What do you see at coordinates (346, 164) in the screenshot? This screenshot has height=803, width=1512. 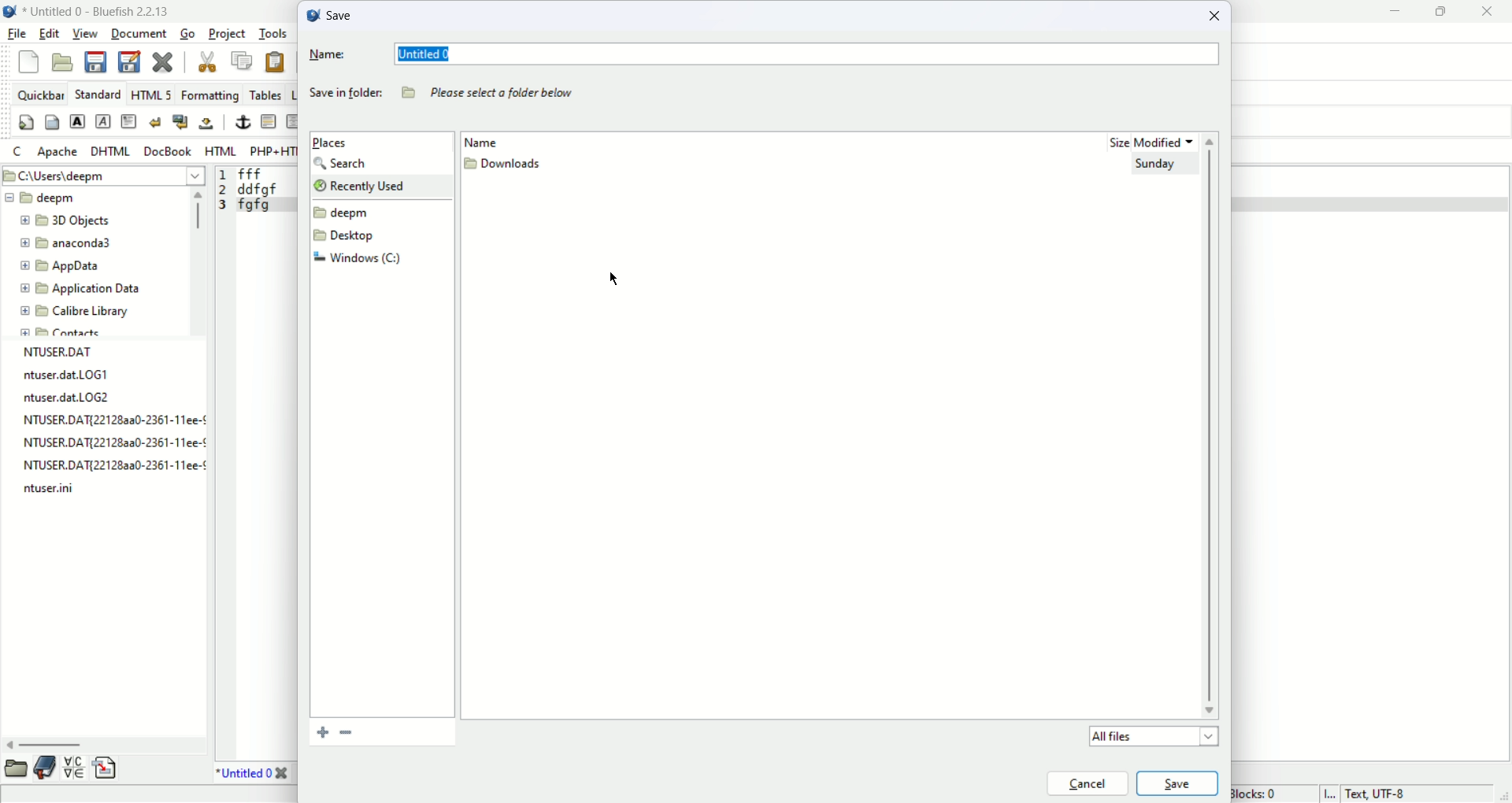 I see `search` at bounding box center [346, 164].